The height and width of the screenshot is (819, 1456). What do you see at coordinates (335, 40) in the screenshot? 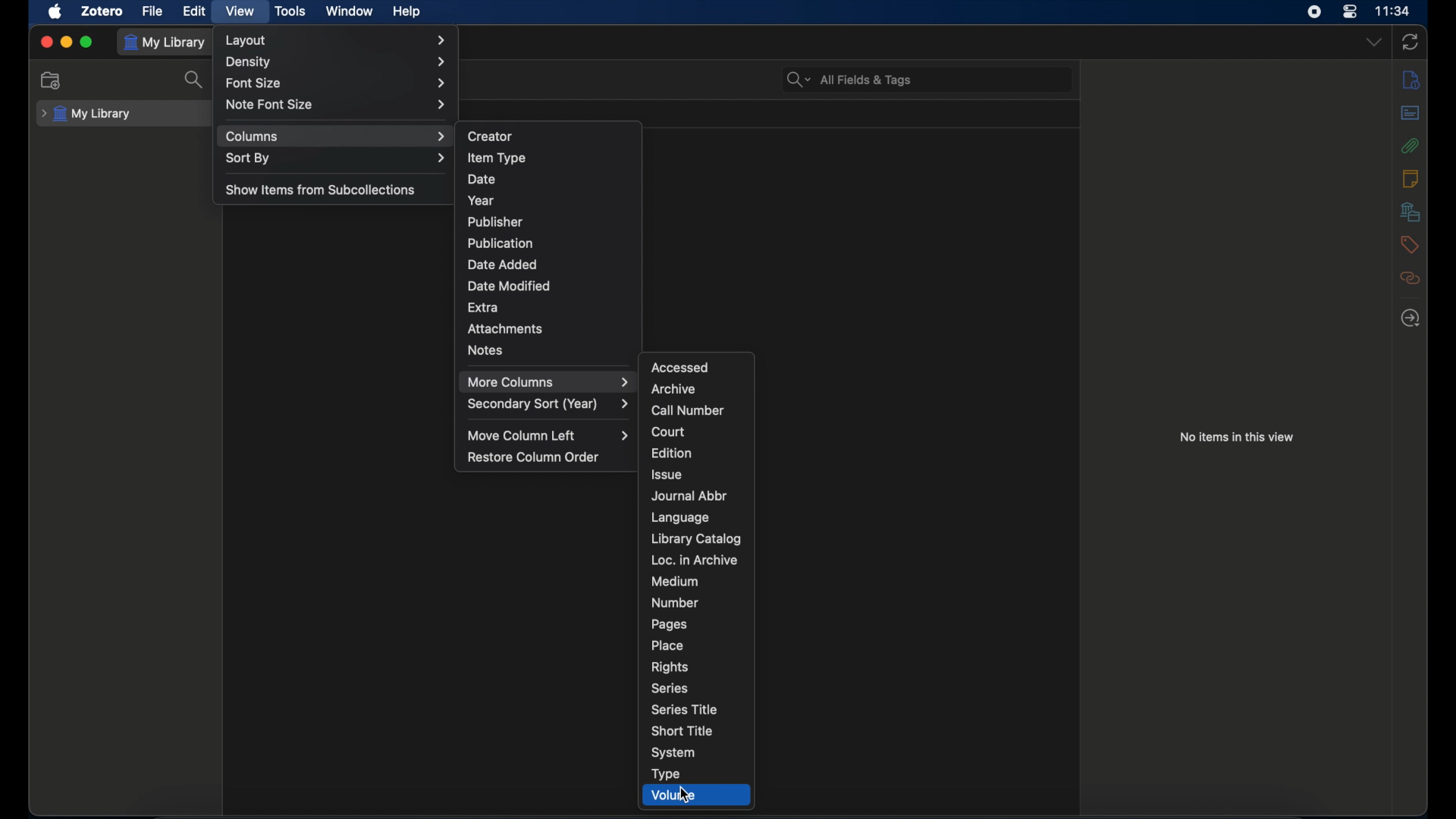
I see `layout` at bounding box center [335, 40].